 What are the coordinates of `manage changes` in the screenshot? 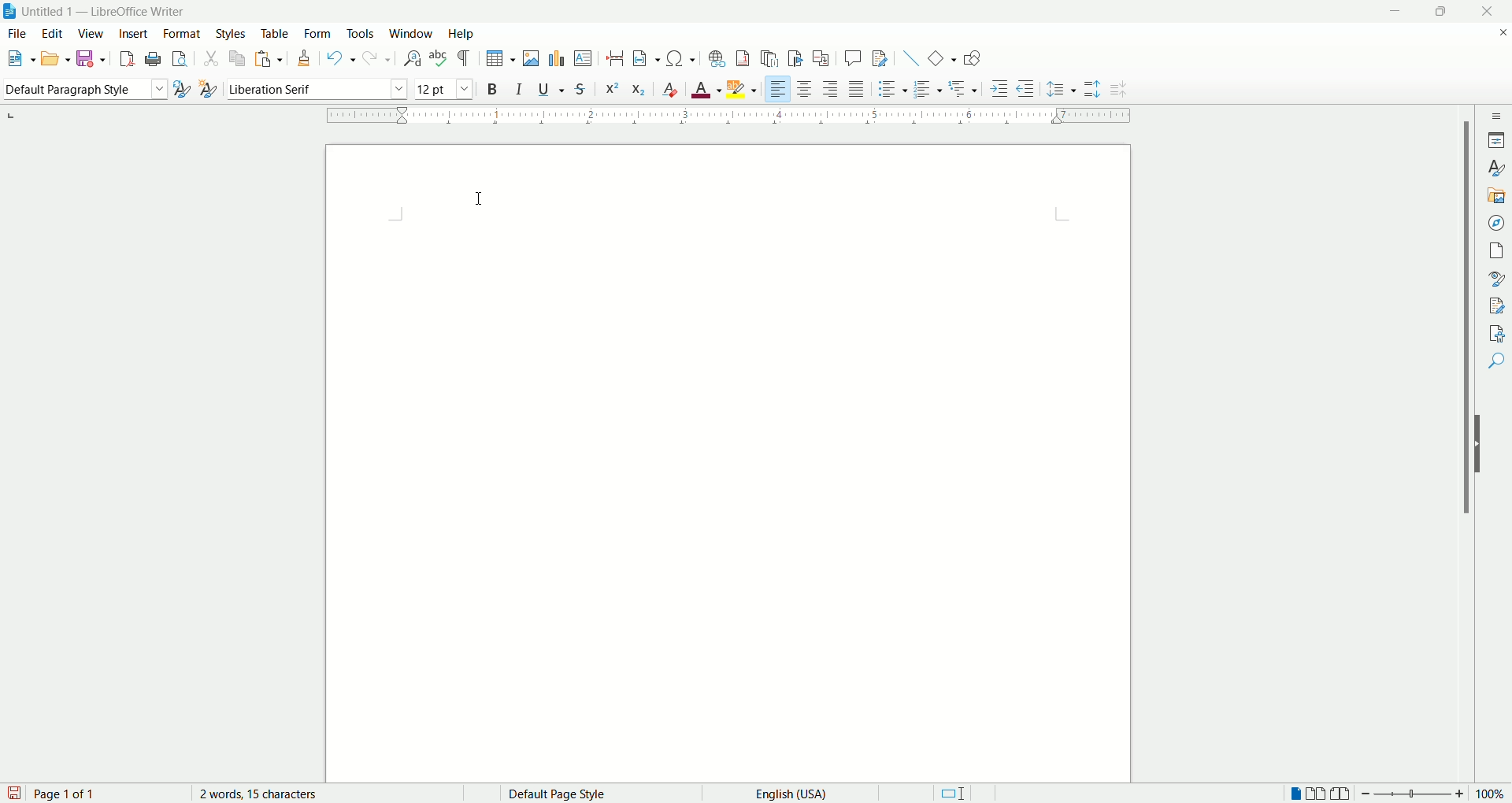 It's located at (1496, 305).